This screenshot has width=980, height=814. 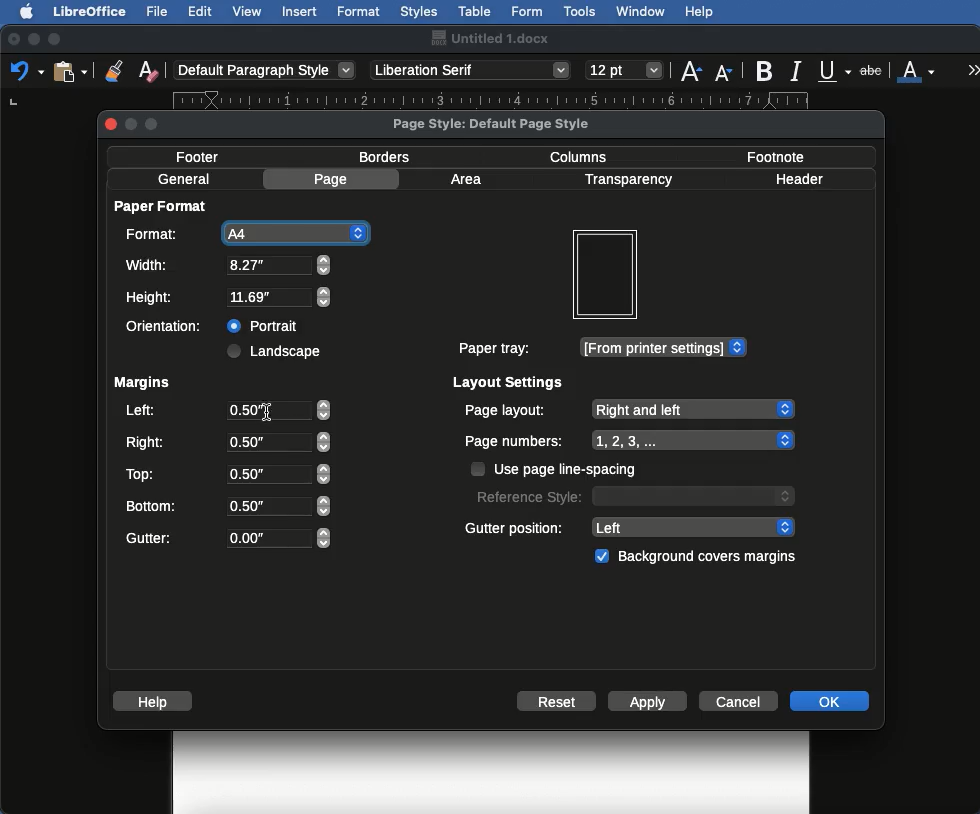 What do you see at coordinates (489, 38) in the screenshot?
I see `Name` at bounding box center [489, 38].